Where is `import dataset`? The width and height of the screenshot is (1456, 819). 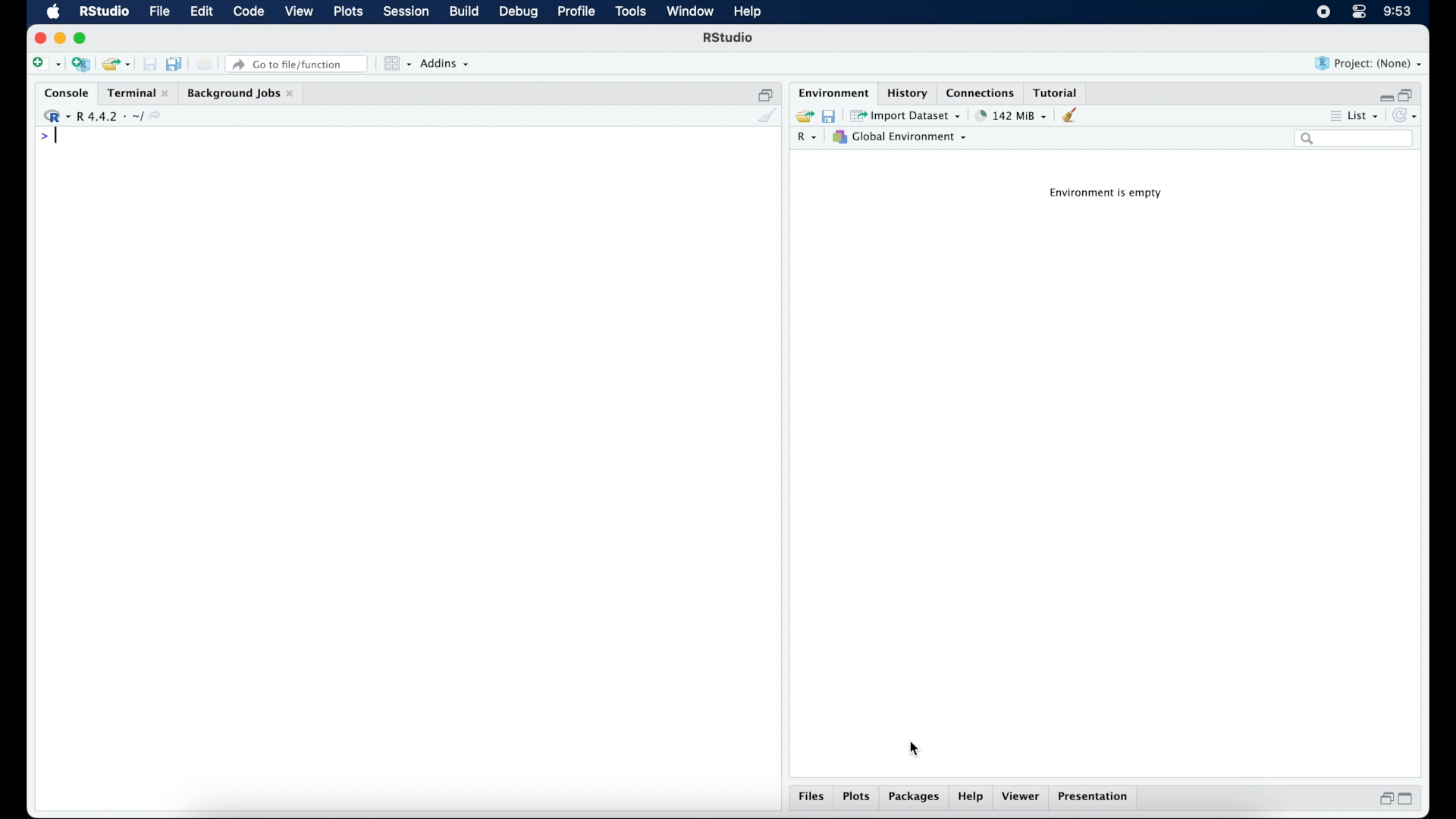 import dataset is located at coordinates (907, 115).